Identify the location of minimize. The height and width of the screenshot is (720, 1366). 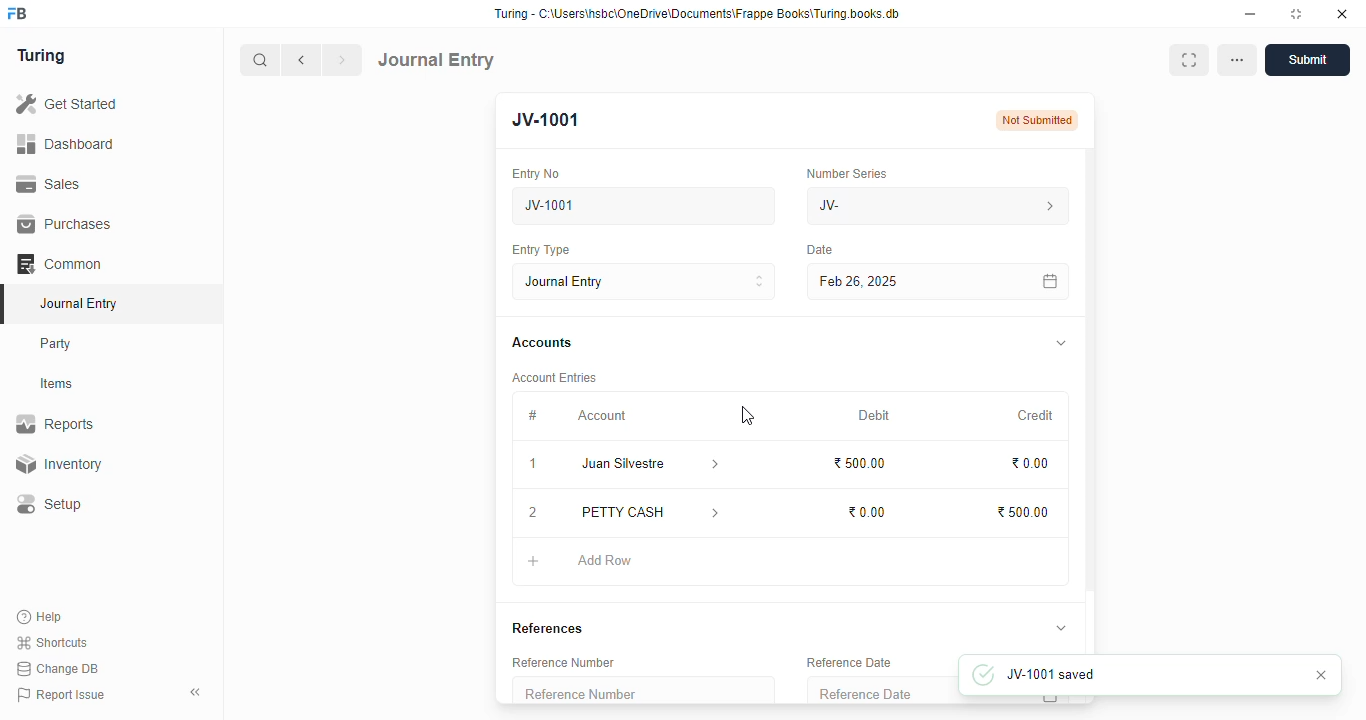
(1251, 14).